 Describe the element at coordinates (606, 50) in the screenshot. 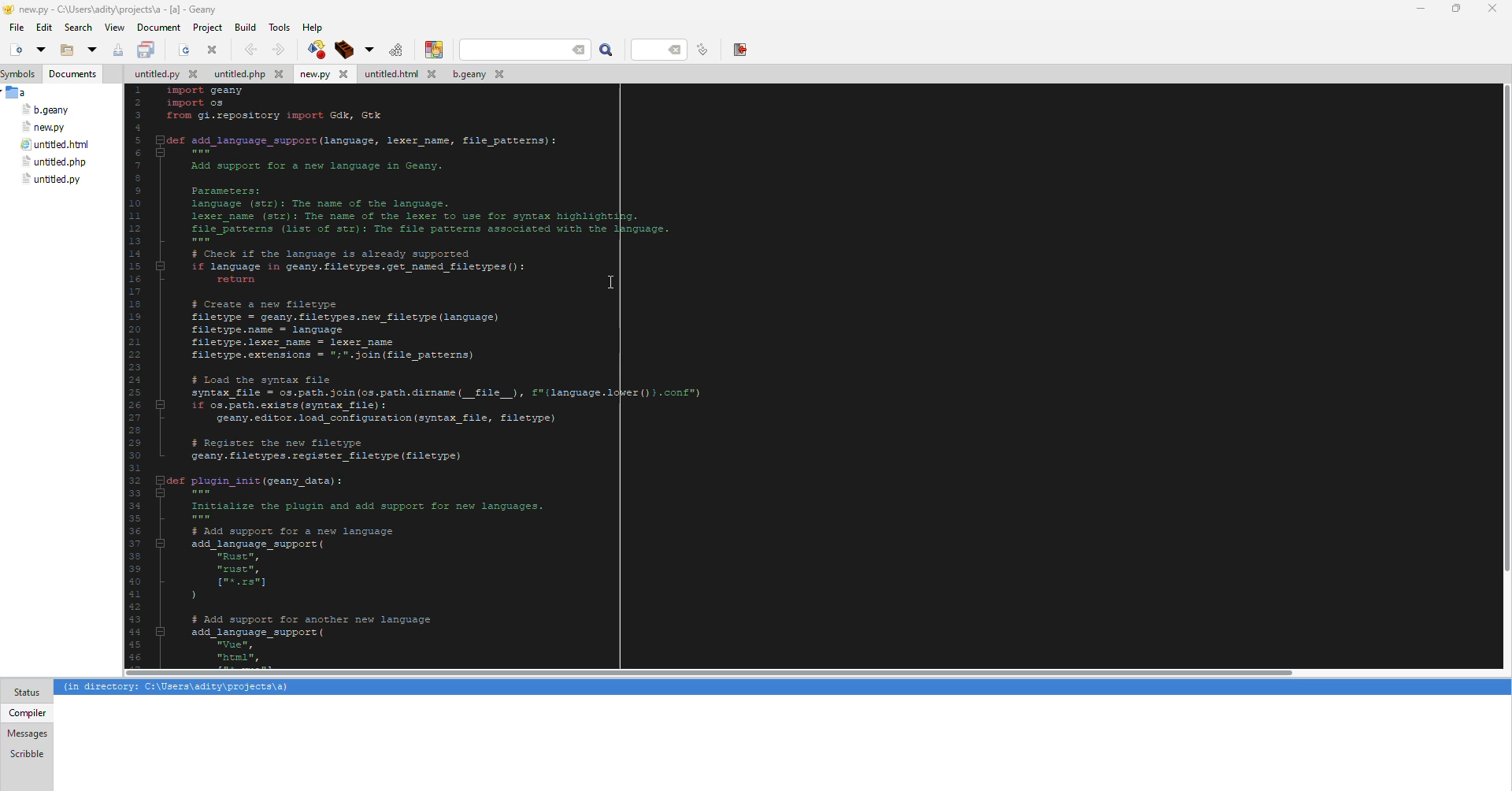

I see `search` at that location.